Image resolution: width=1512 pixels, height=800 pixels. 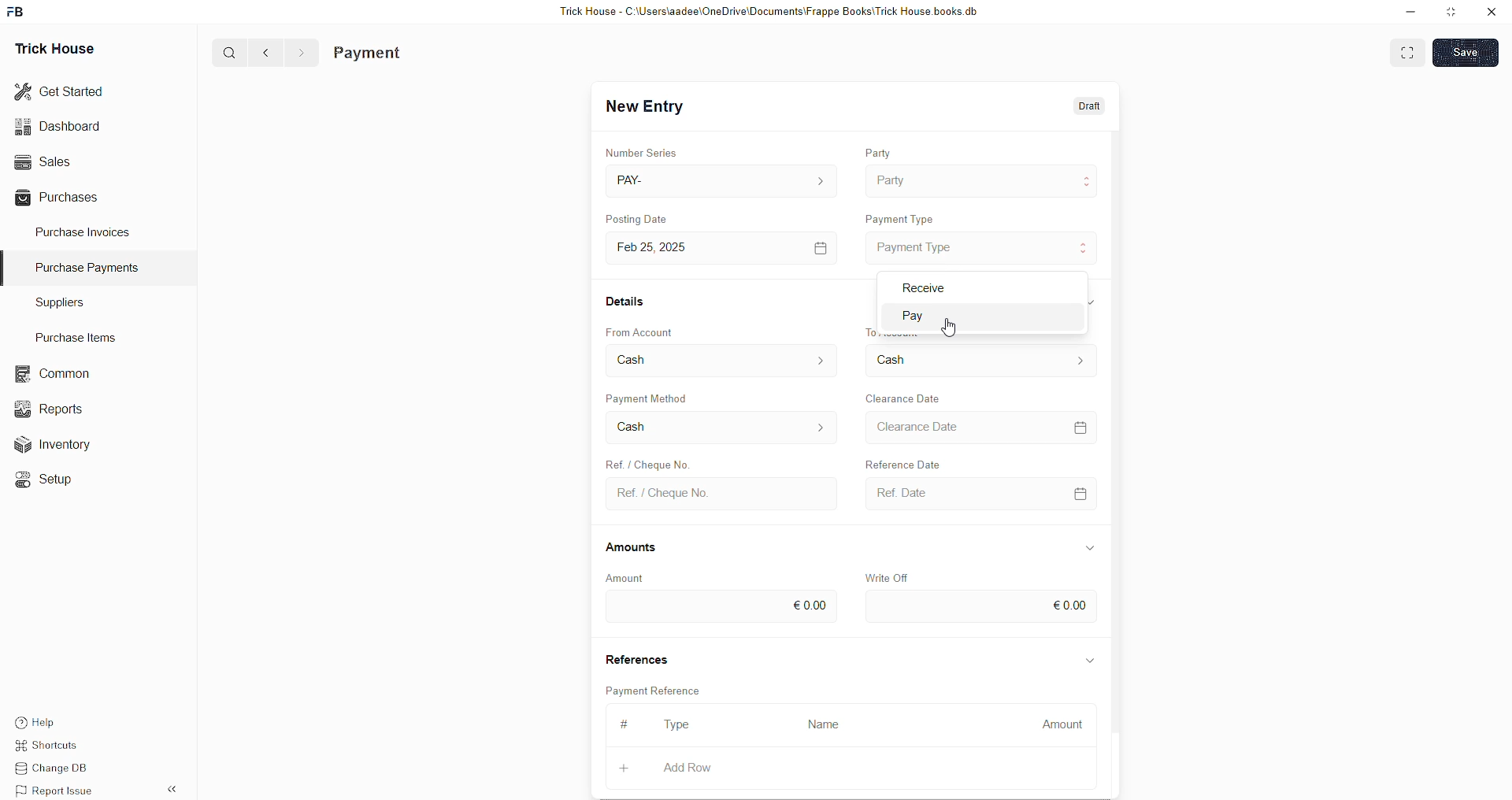 I want to click on Payment Reference, so click(x=661, y=689).